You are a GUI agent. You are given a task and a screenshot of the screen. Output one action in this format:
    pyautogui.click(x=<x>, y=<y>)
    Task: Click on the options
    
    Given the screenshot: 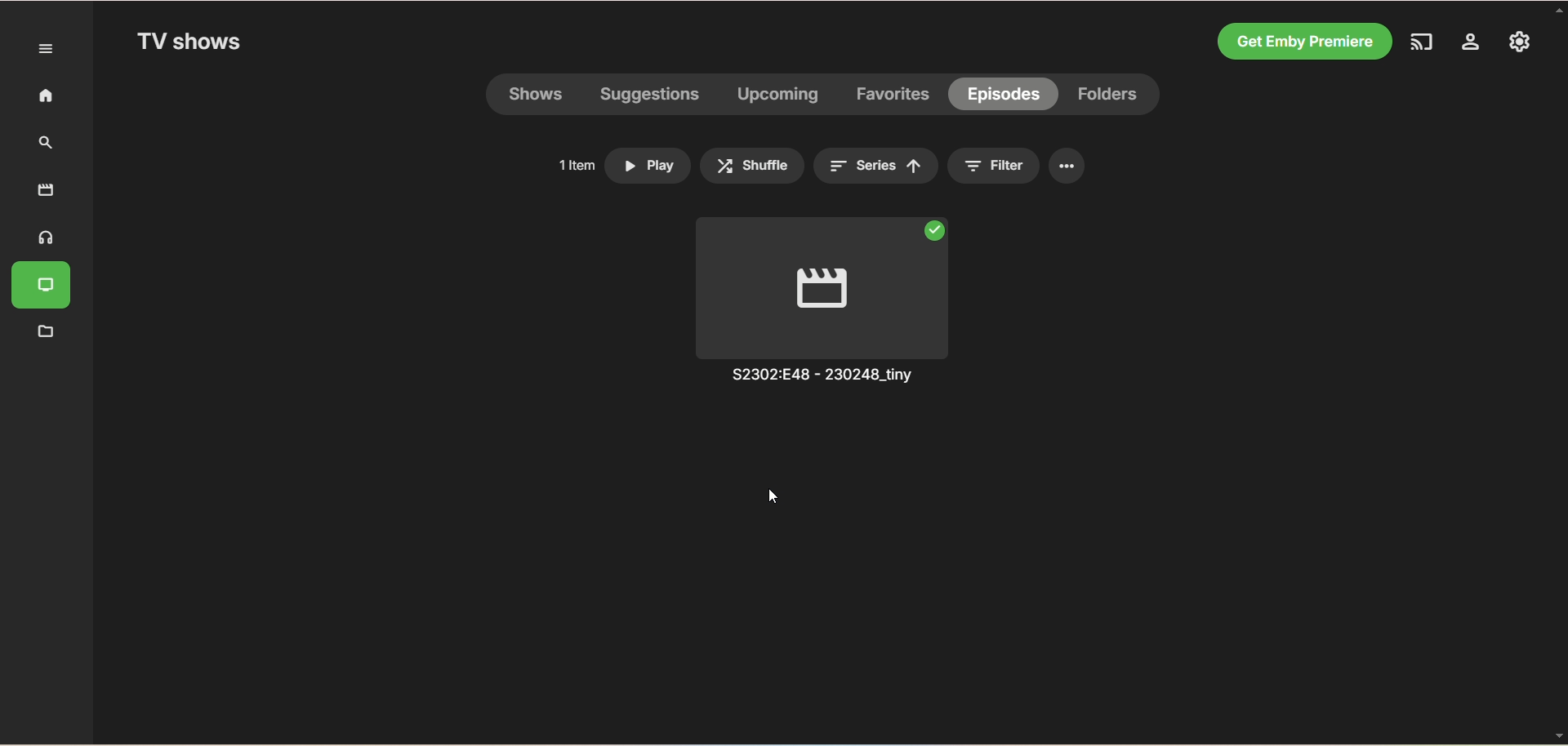 What is the action you would take?
    pyautogui.click(x=1067, y=167)
    